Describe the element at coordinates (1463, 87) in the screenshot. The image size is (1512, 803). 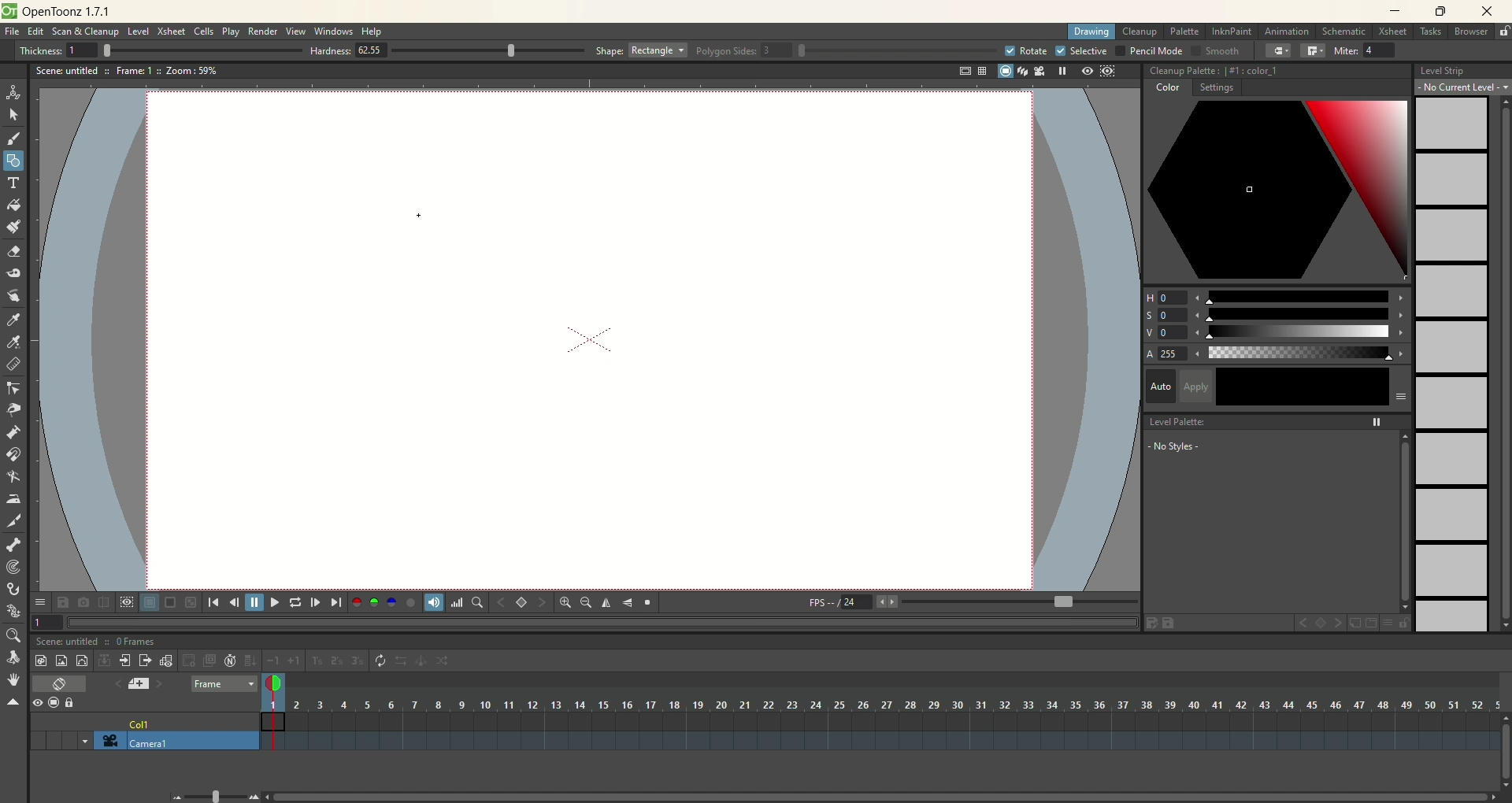
I see `no current level` at that location.